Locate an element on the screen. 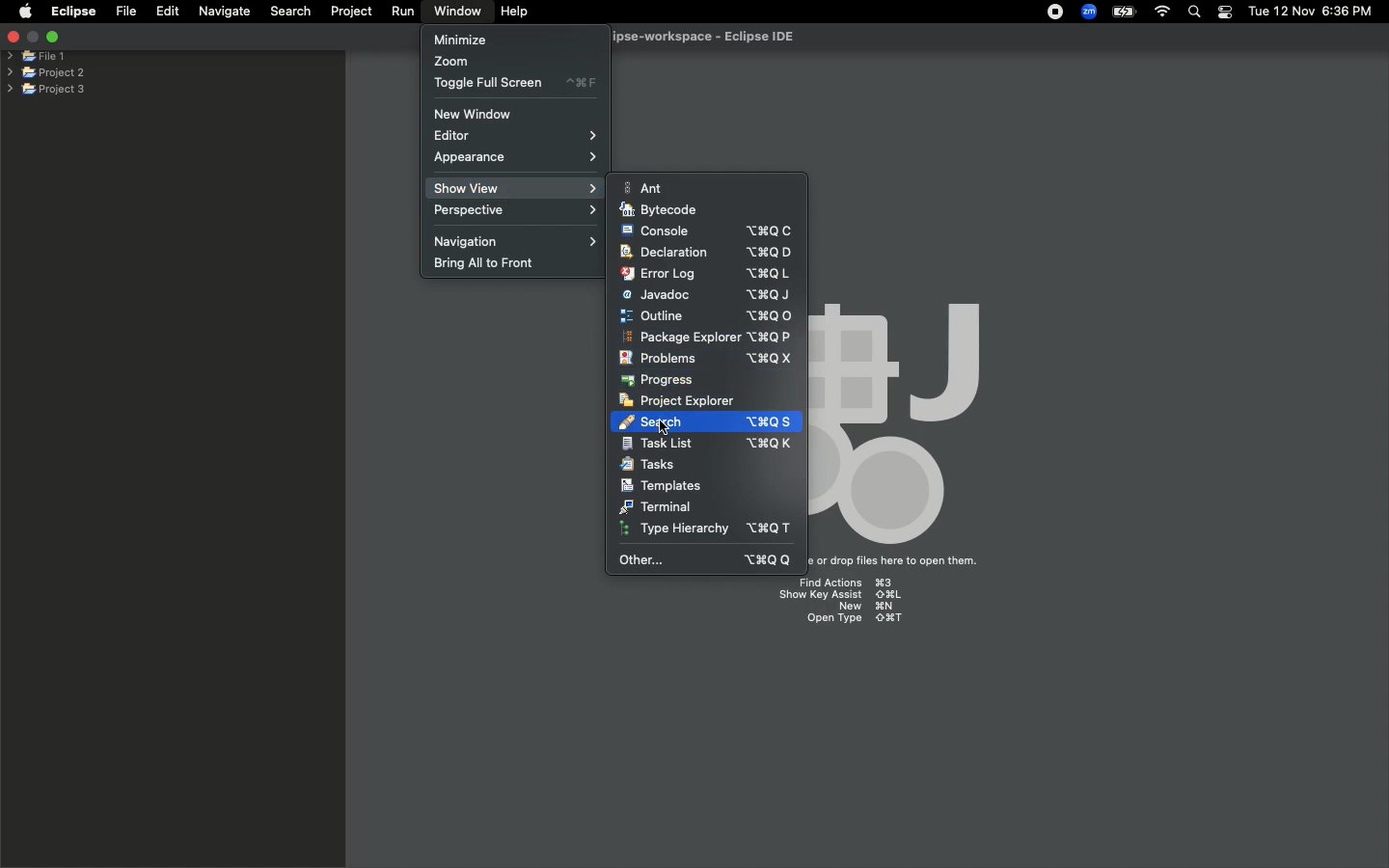 This screenshot has width=1389, height=868. Problems is located at coordinates (705, 359).